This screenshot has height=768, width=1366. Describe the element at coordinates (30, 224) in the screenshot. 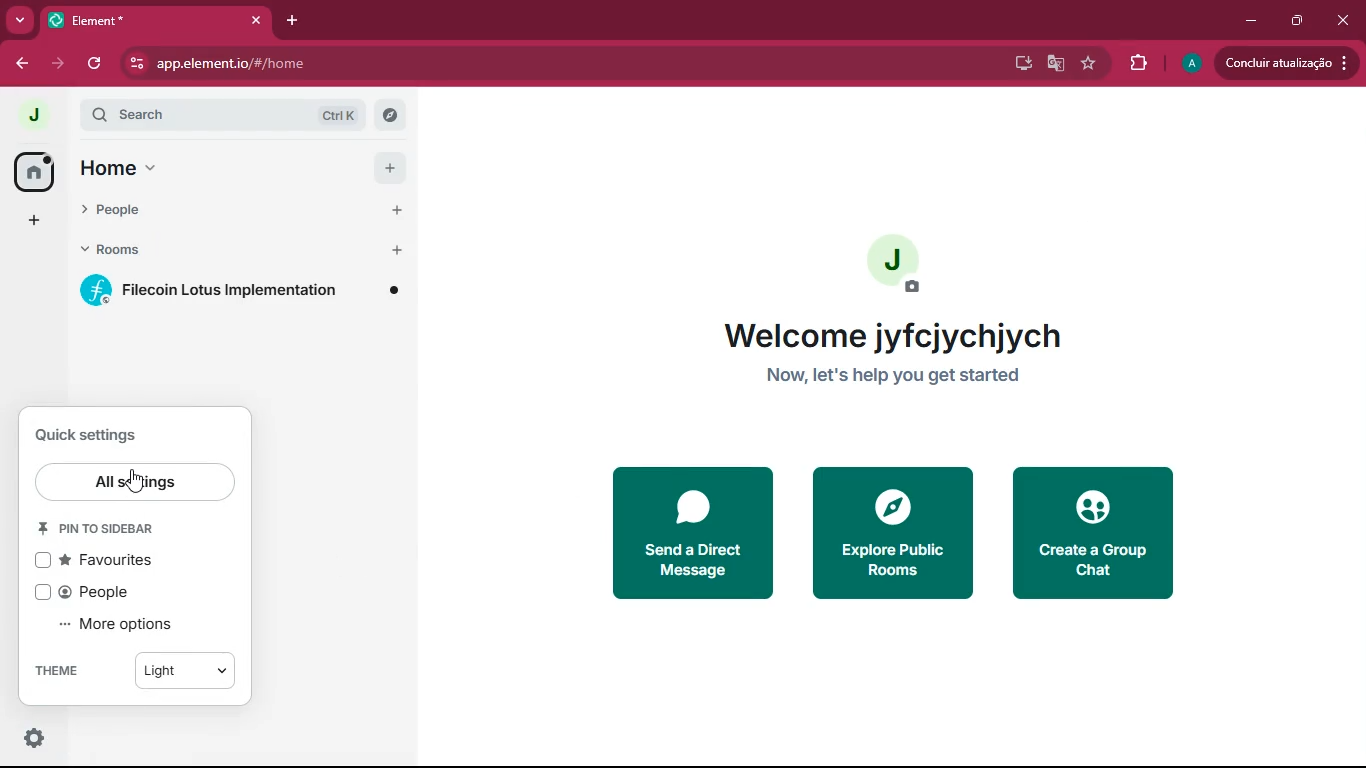

I see `add` at that location.